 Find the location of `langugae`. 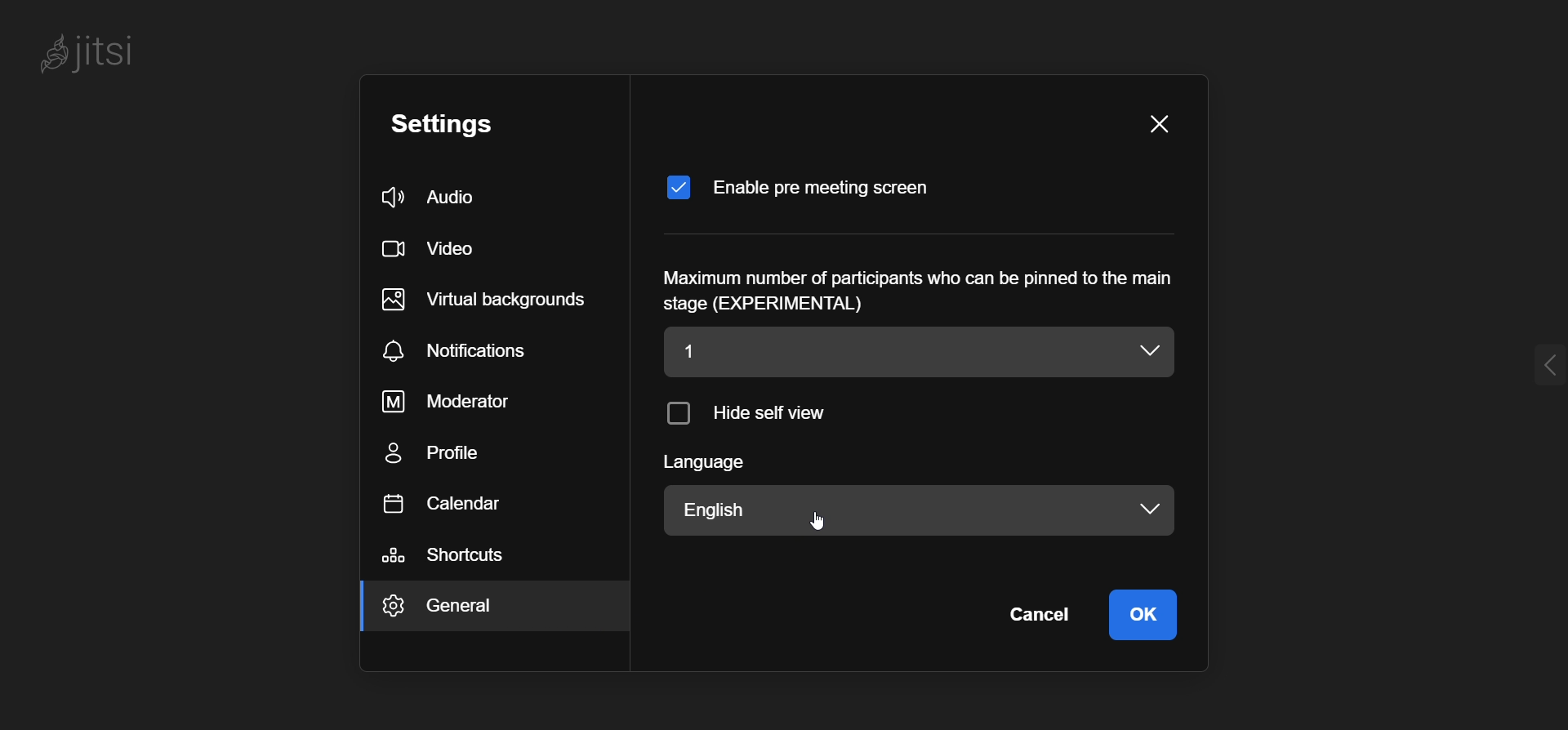

langugae is located at coordinates (720, 465).